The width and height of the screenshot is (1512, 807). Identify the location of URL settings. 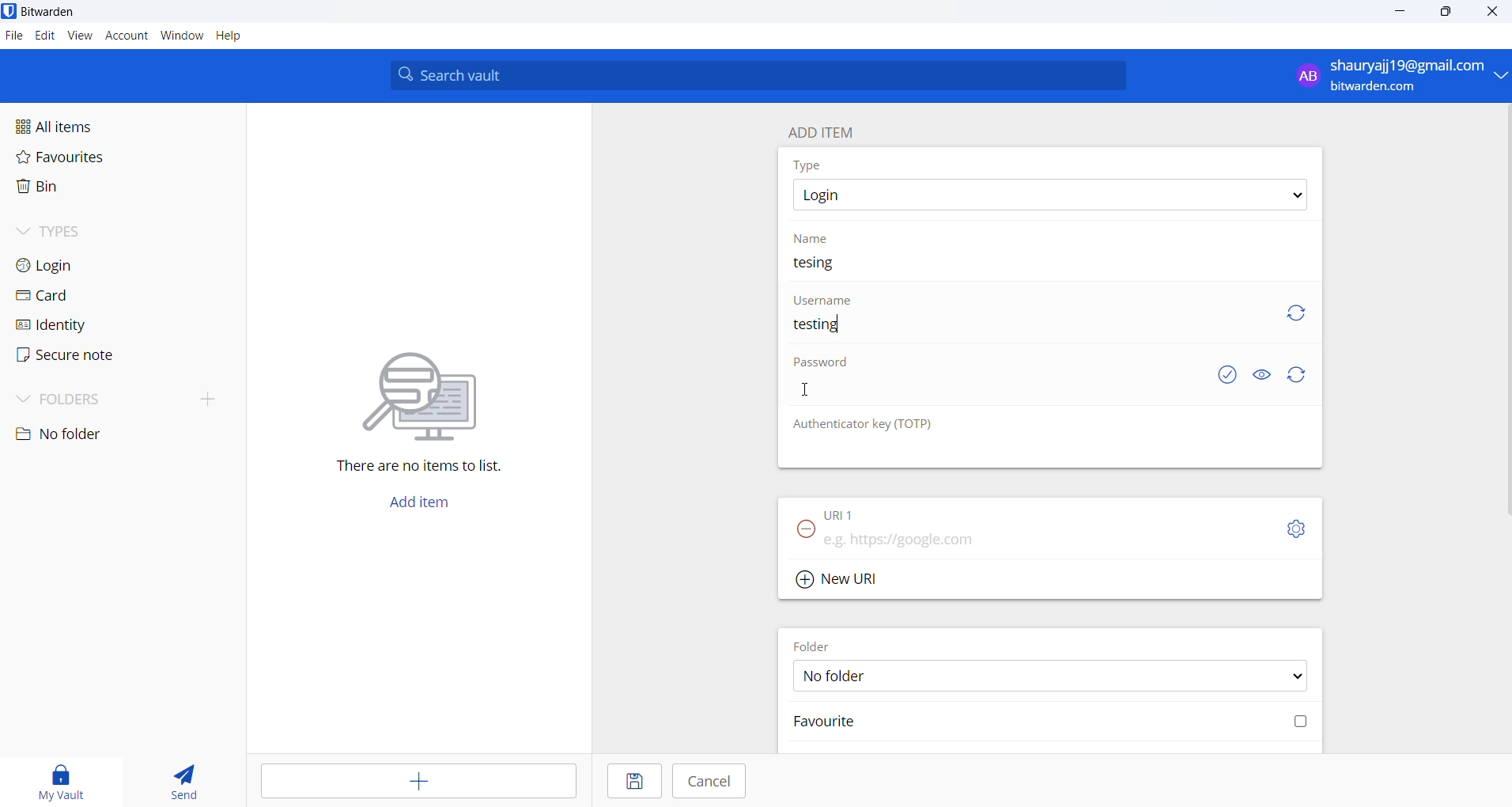
(1299, 530).